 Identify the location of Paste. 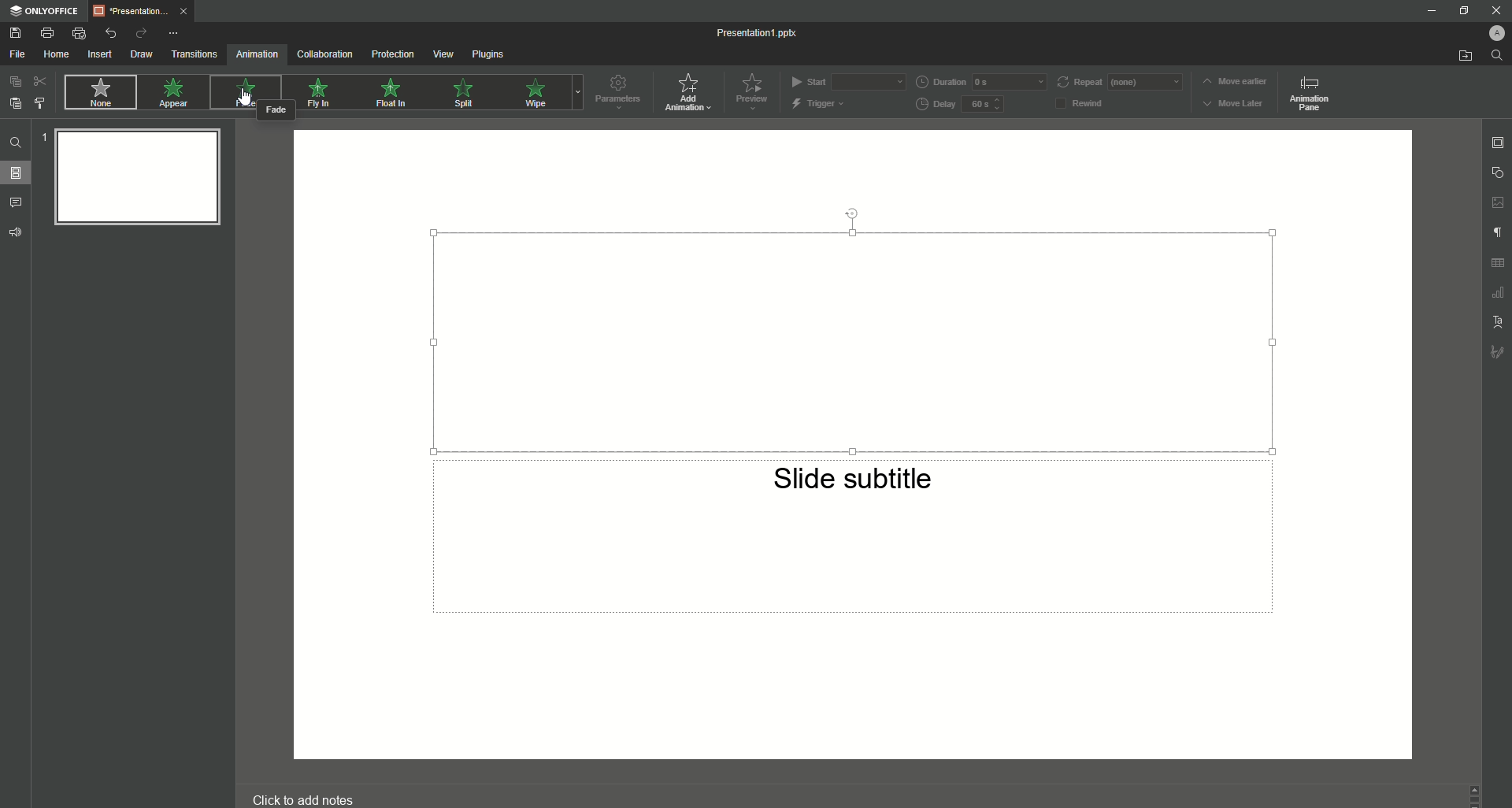
(14, 104).